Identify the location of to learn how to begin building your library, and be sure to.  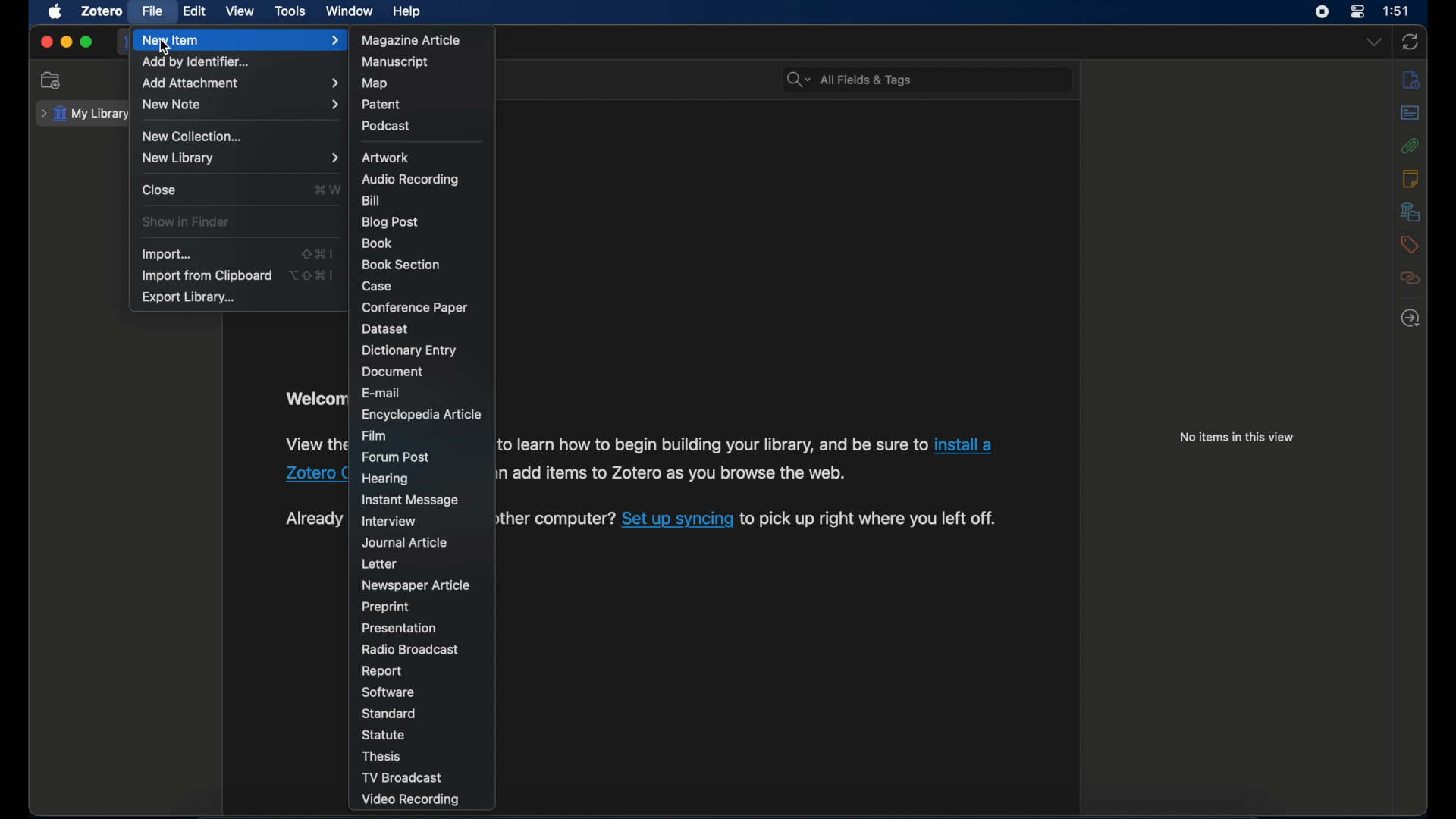
(713, 444).